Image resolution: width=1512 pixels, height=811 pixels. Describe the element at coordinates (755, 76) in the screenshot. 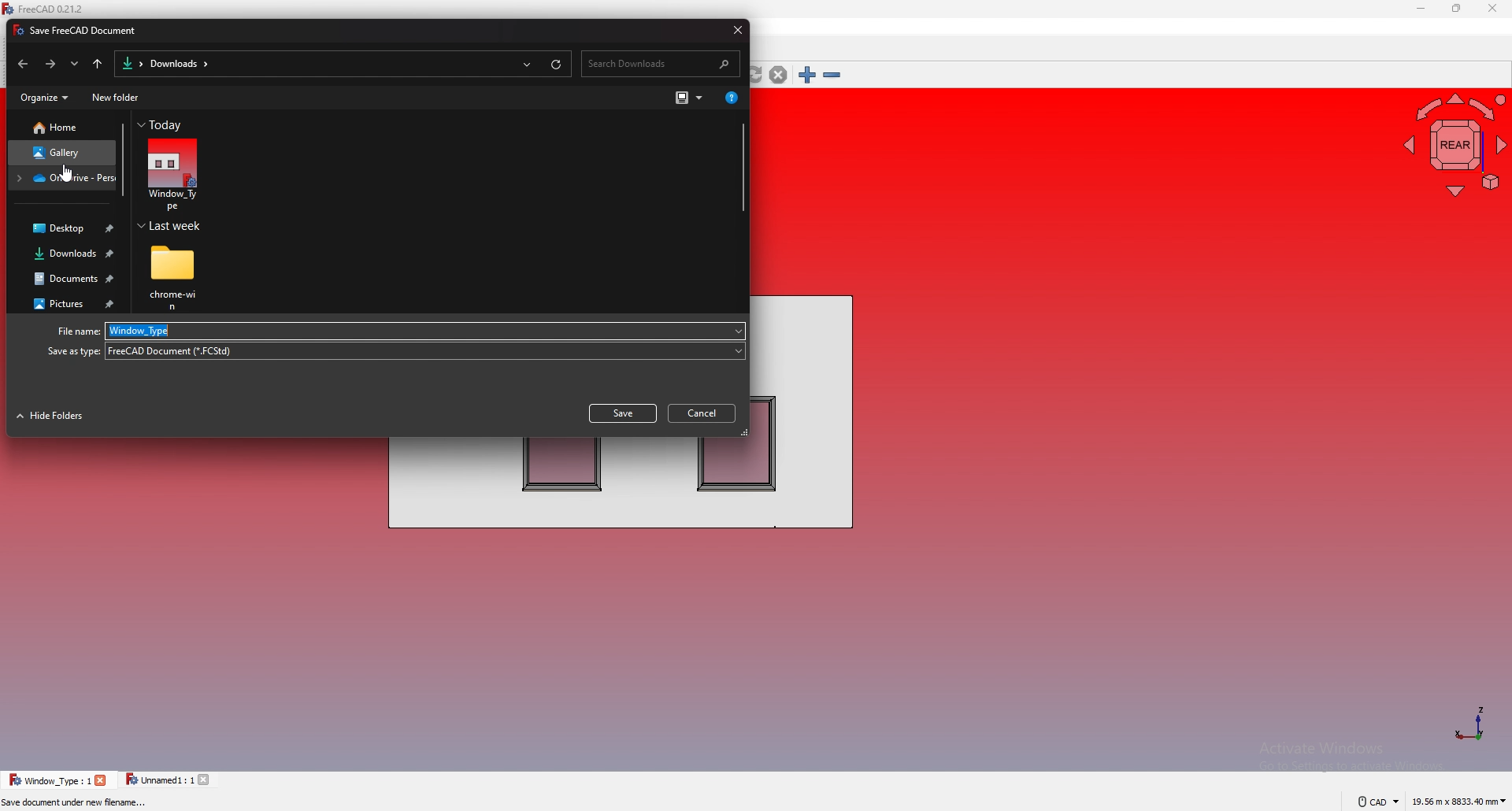

I see `refresh web page` at that location.